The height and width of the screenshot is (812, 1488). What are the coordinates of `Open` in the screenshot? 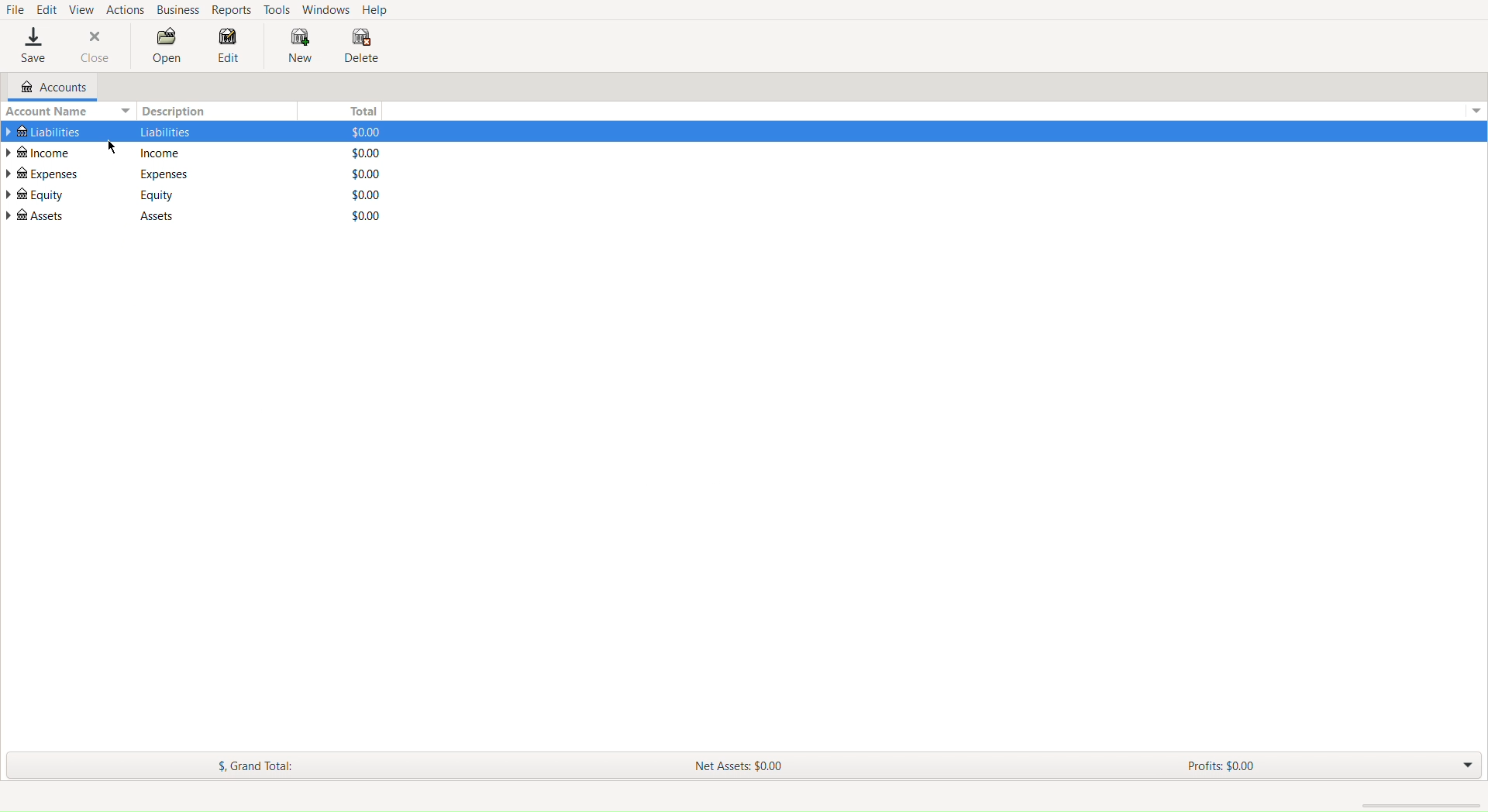 It's located at (166, 47).